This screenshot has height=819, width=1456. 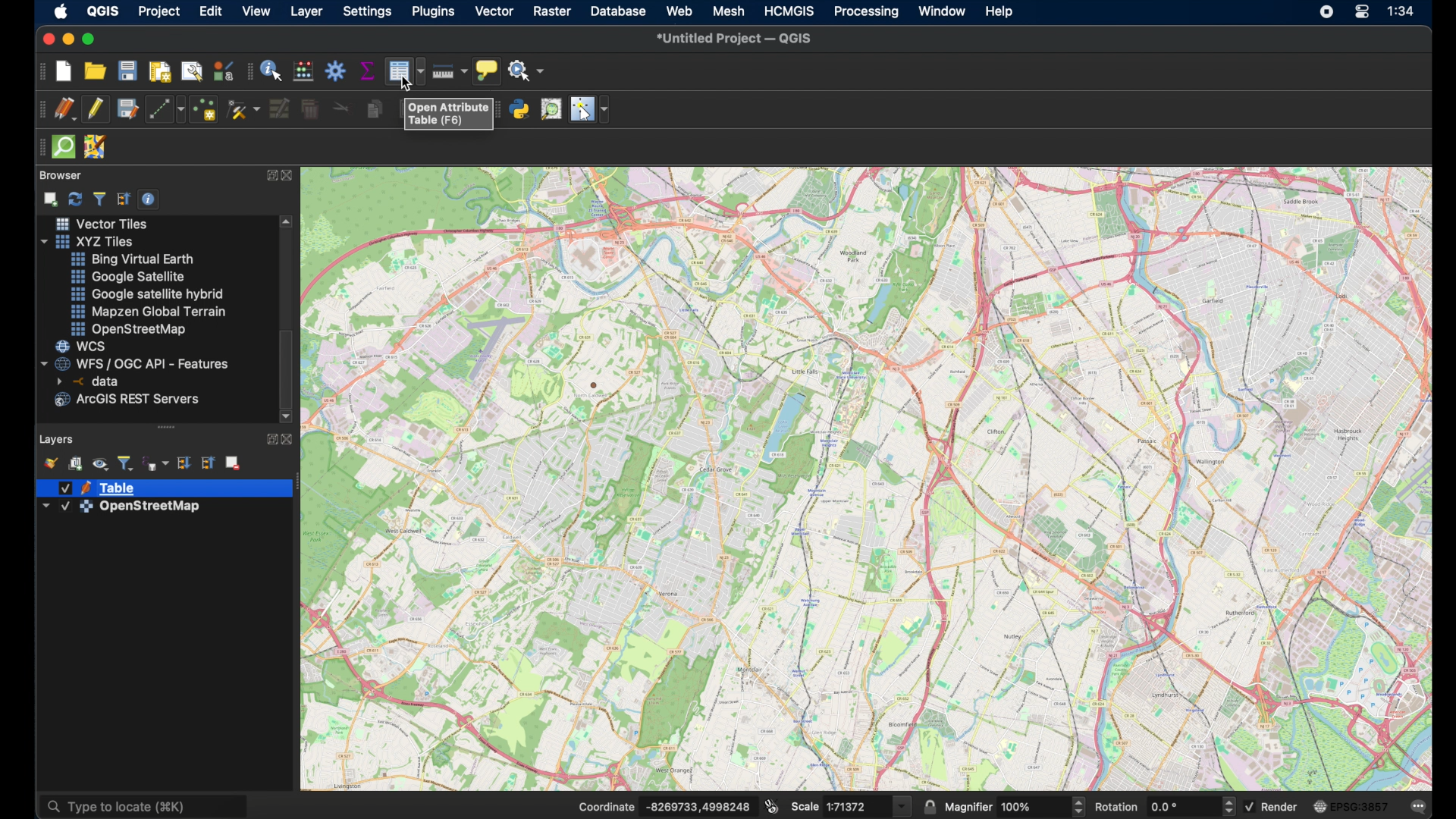 What do you see at coordinates (127, 328) in the screenshot?
I see `open street map` at bounding box center [127, 328].